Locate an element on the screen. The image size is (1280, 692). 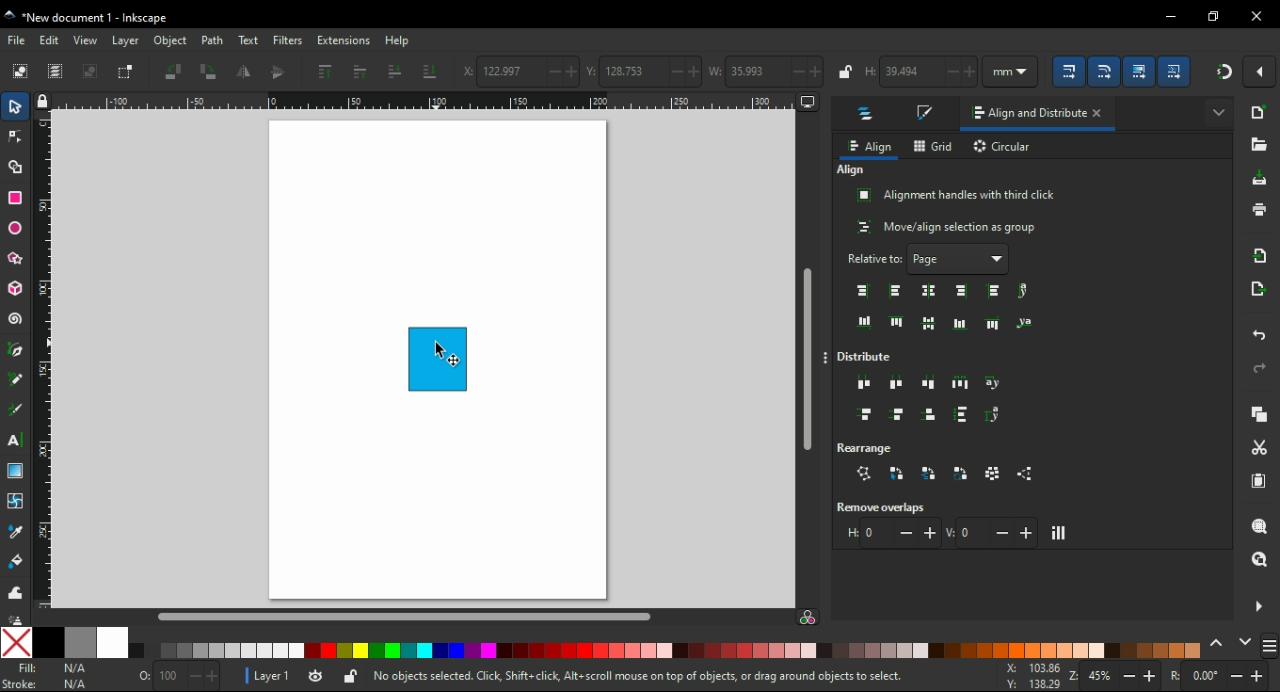
import is located at coordinates (1259, 255).